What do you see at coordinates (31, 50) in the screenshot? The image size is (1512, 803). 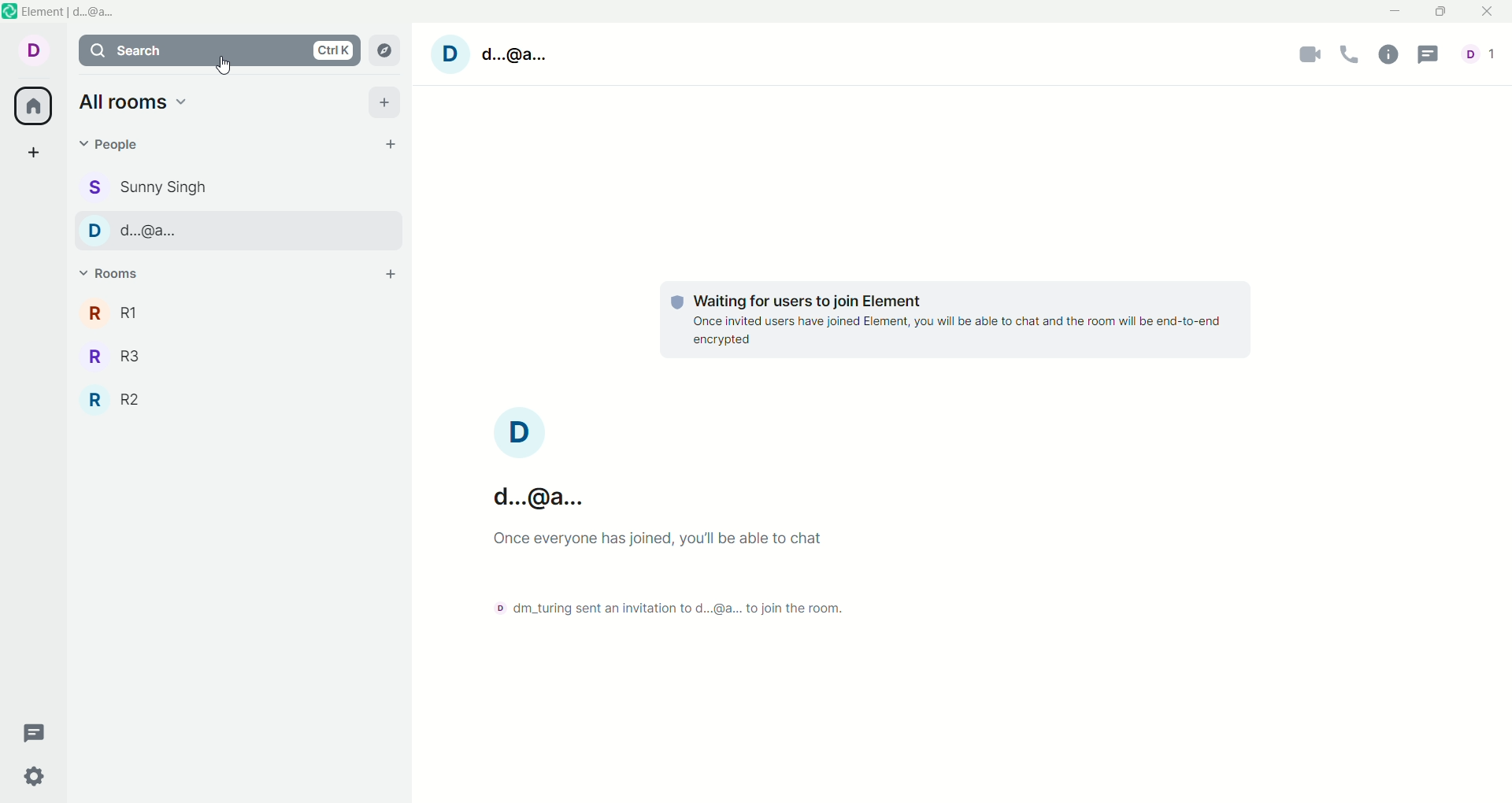 I see `account` at bounding box center [31, 50].